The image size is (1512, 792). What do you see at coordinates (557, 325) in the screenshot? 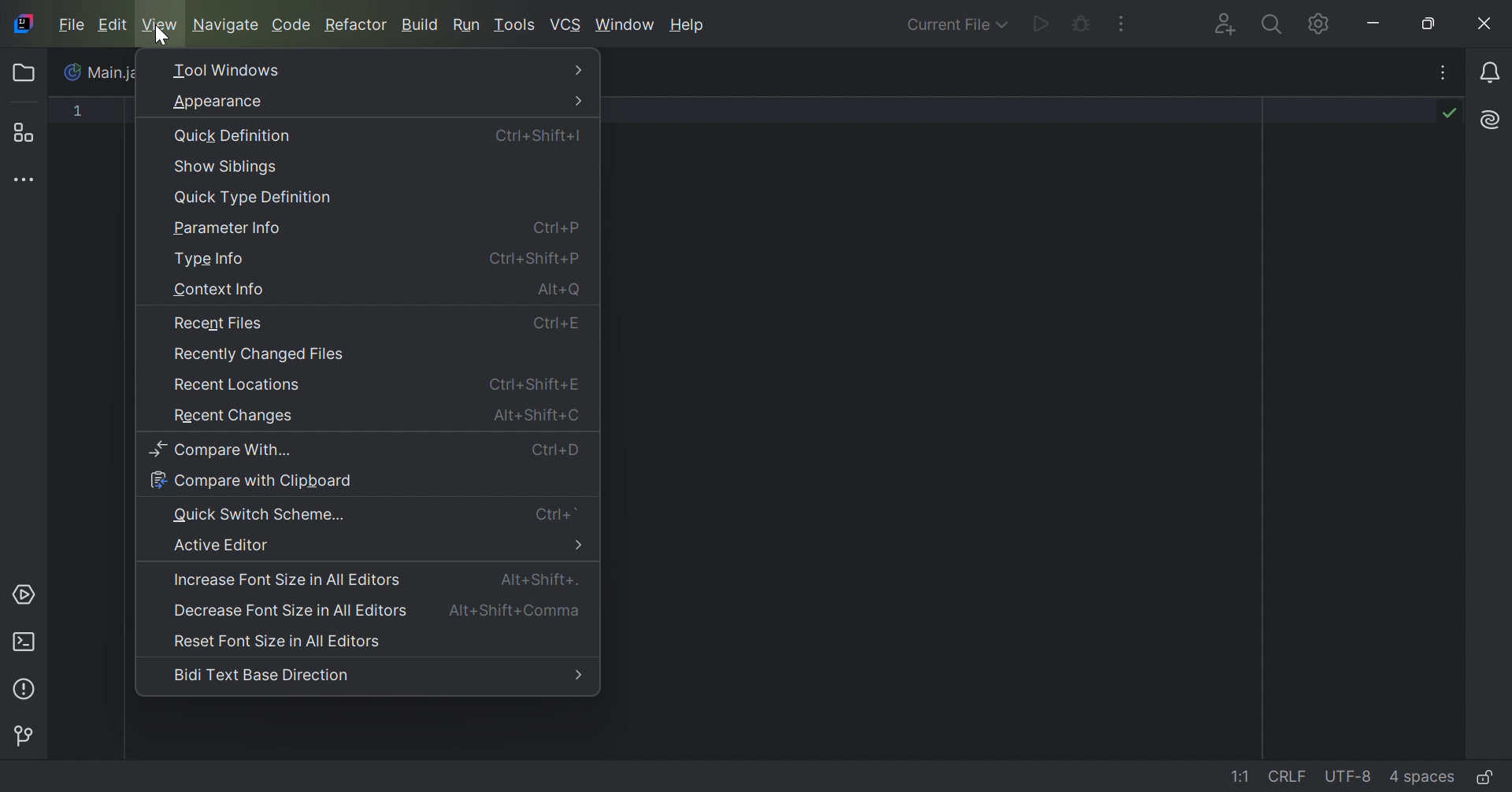
I see `Ctrl+E` at bounding box center [557, 325].